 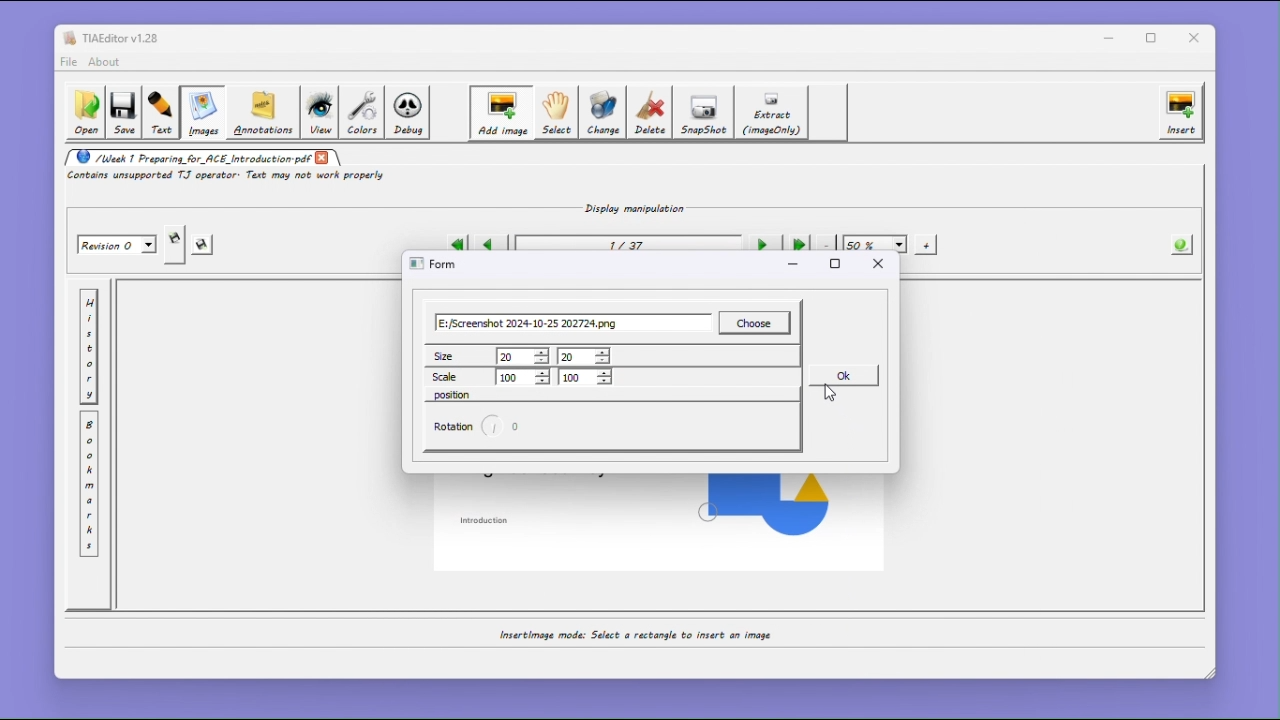 I want to click on Annotations , so click(x=261, y=112).